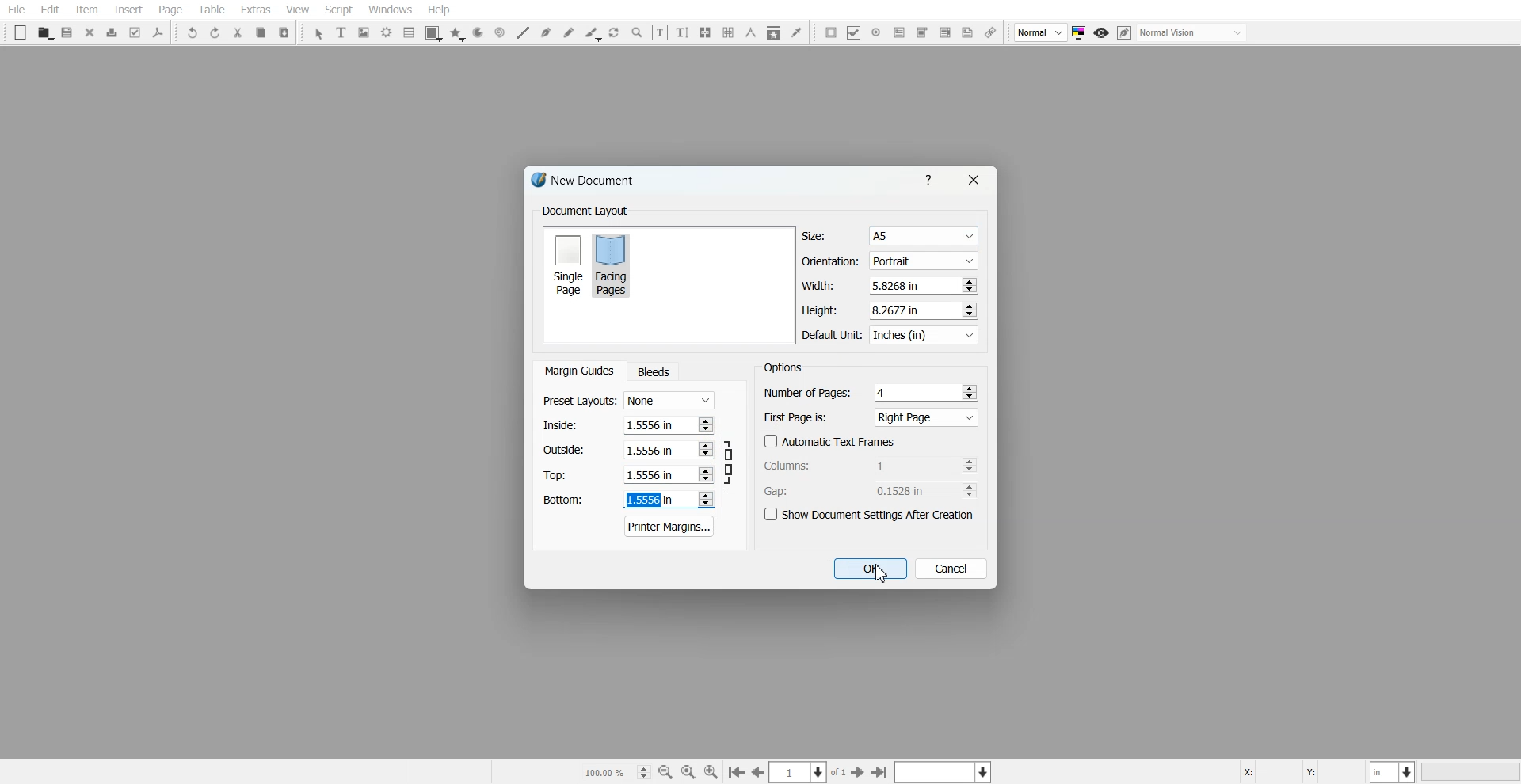  I want to click on Calligraphic line, so click(593, 34).